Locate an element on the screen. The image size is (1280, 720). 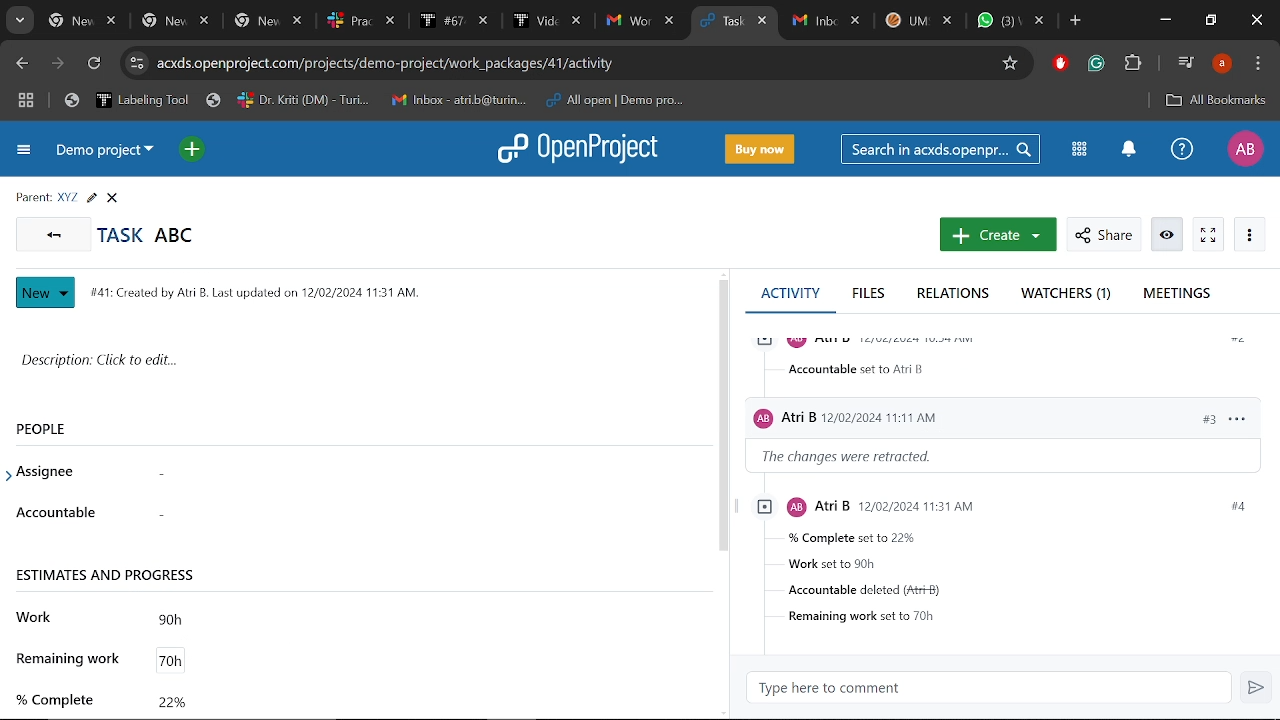
Users is located at coordinates (942, 414).